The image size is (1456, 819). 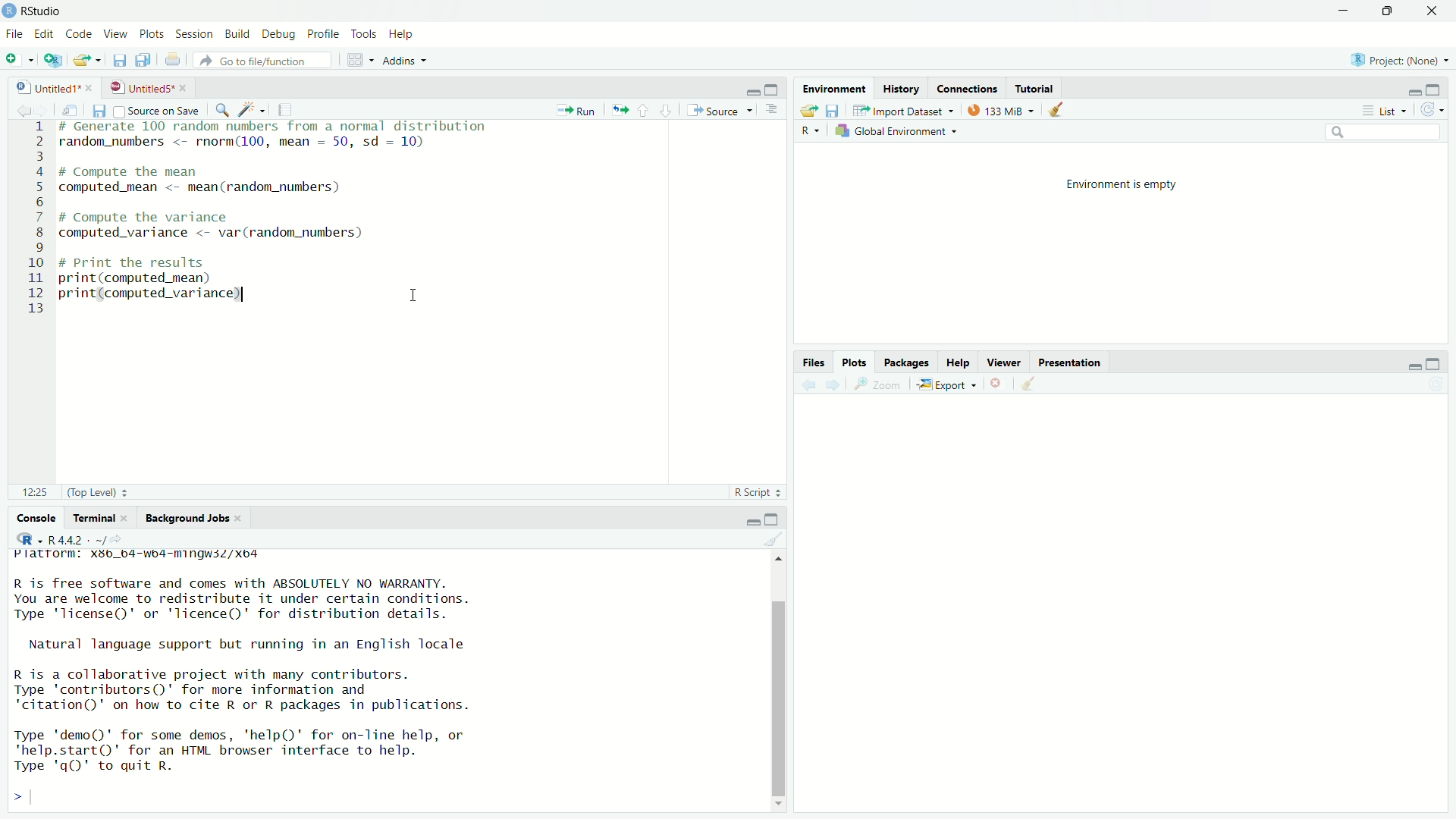 What do you see at coordinates (147, 555) in the screenshot?
I see `Platrorm: Xx36_64-wb4-mingws3Z/Xo4` at bounding box center [147, 555].